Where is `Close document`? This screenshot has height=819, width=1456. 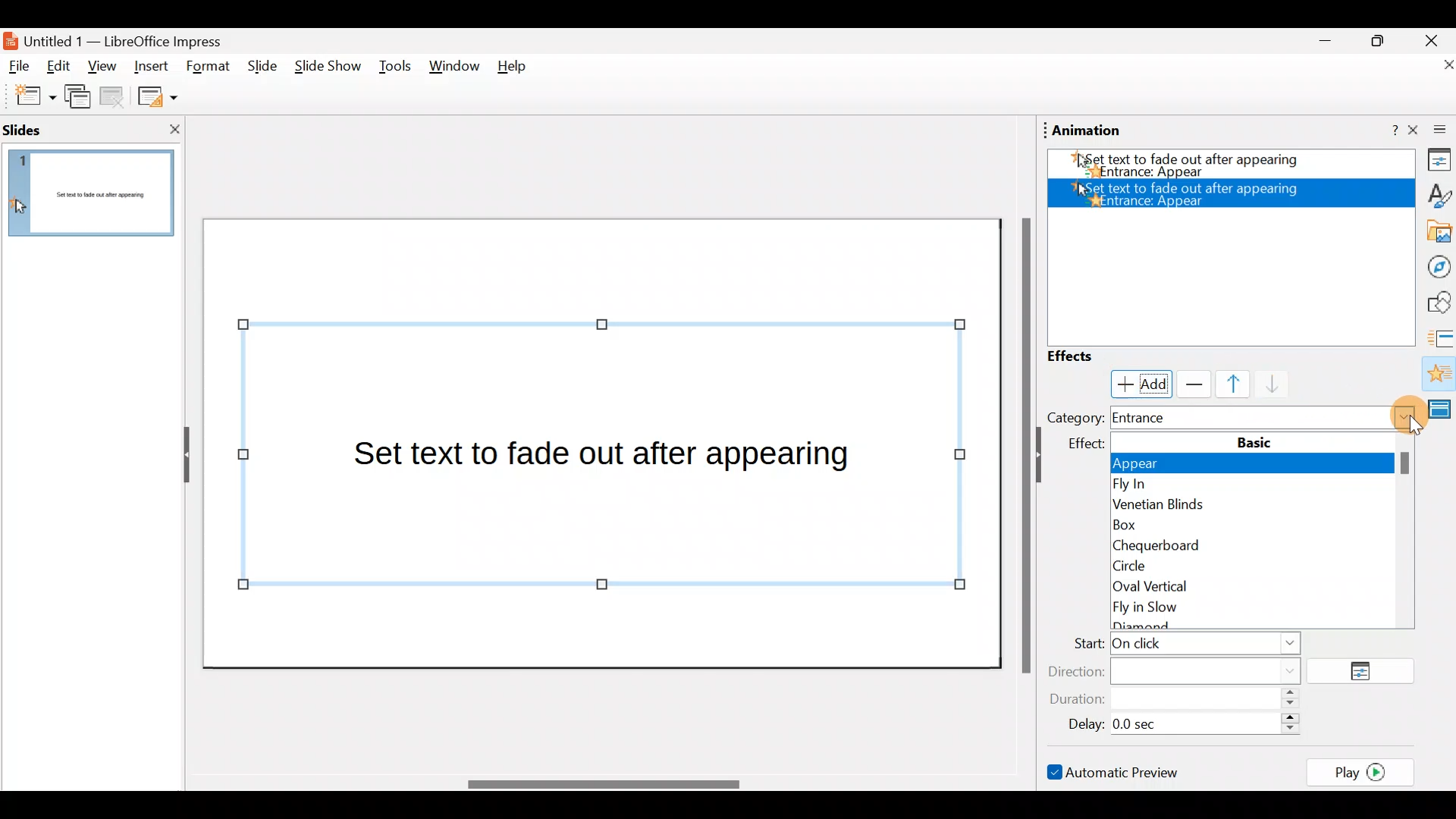 Close document is located at coordinates (1433, 66).